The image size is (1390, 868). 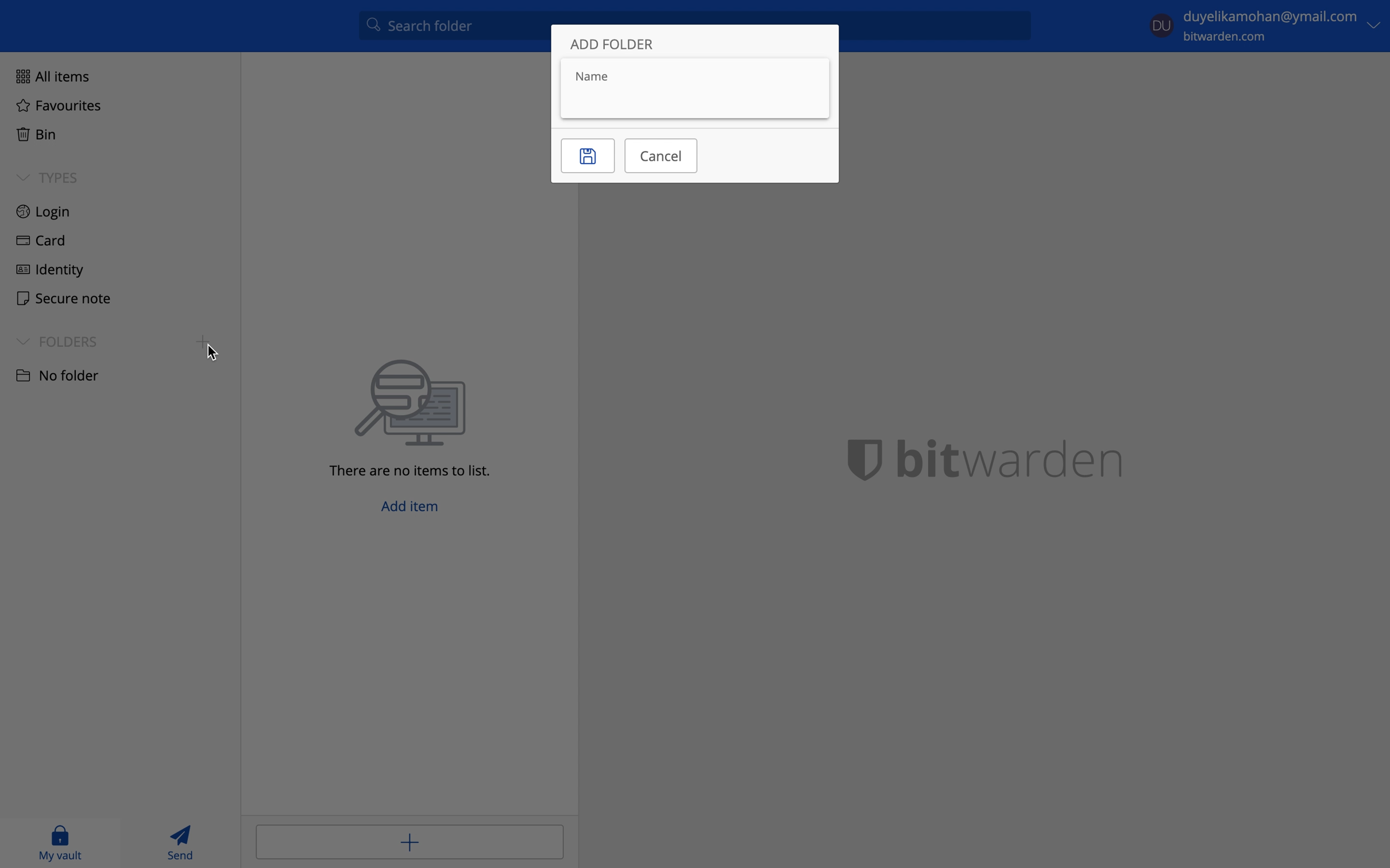 I want to click on Search folder, so click(x=450, y=29).